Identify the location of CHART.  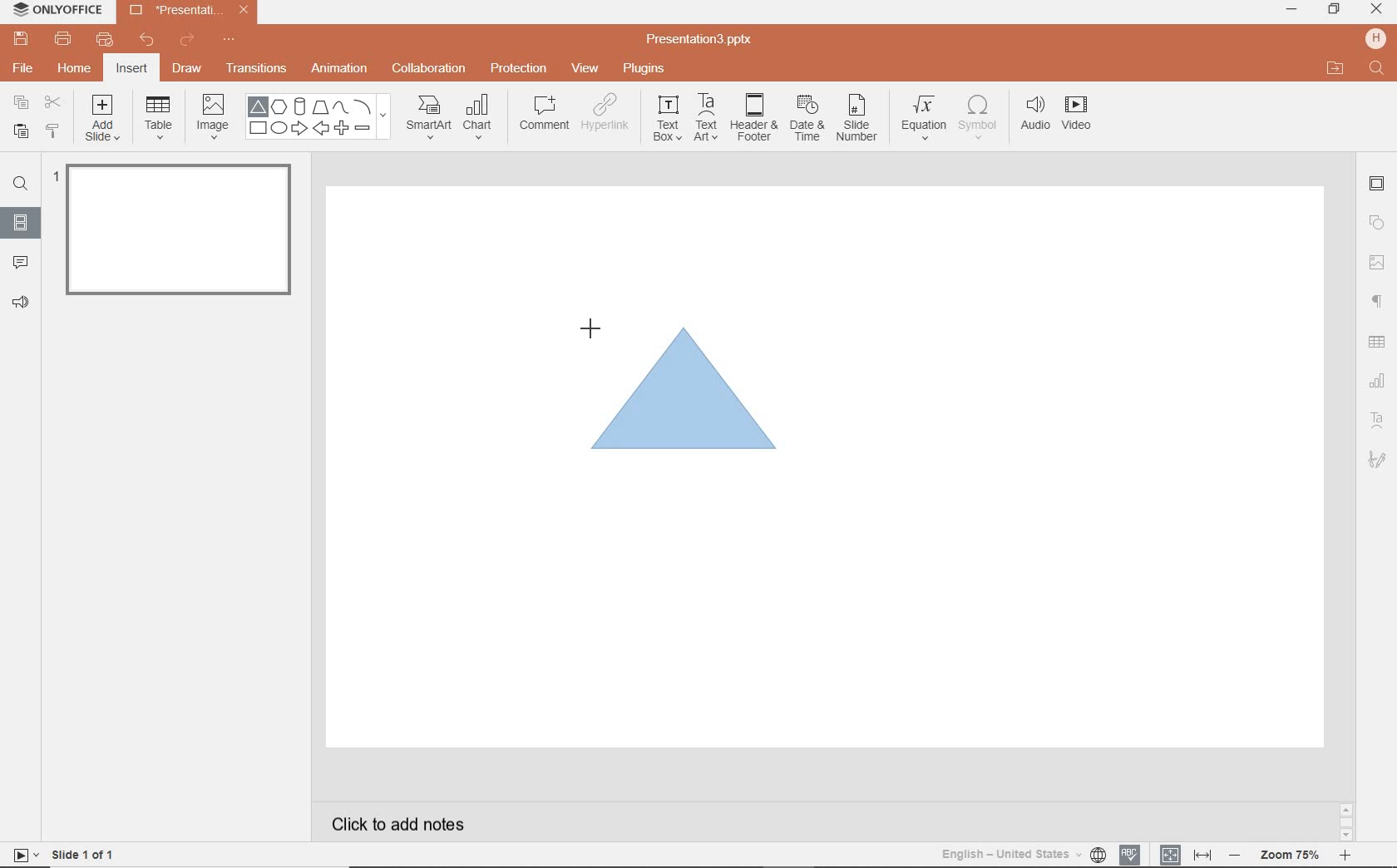
(480, 118).